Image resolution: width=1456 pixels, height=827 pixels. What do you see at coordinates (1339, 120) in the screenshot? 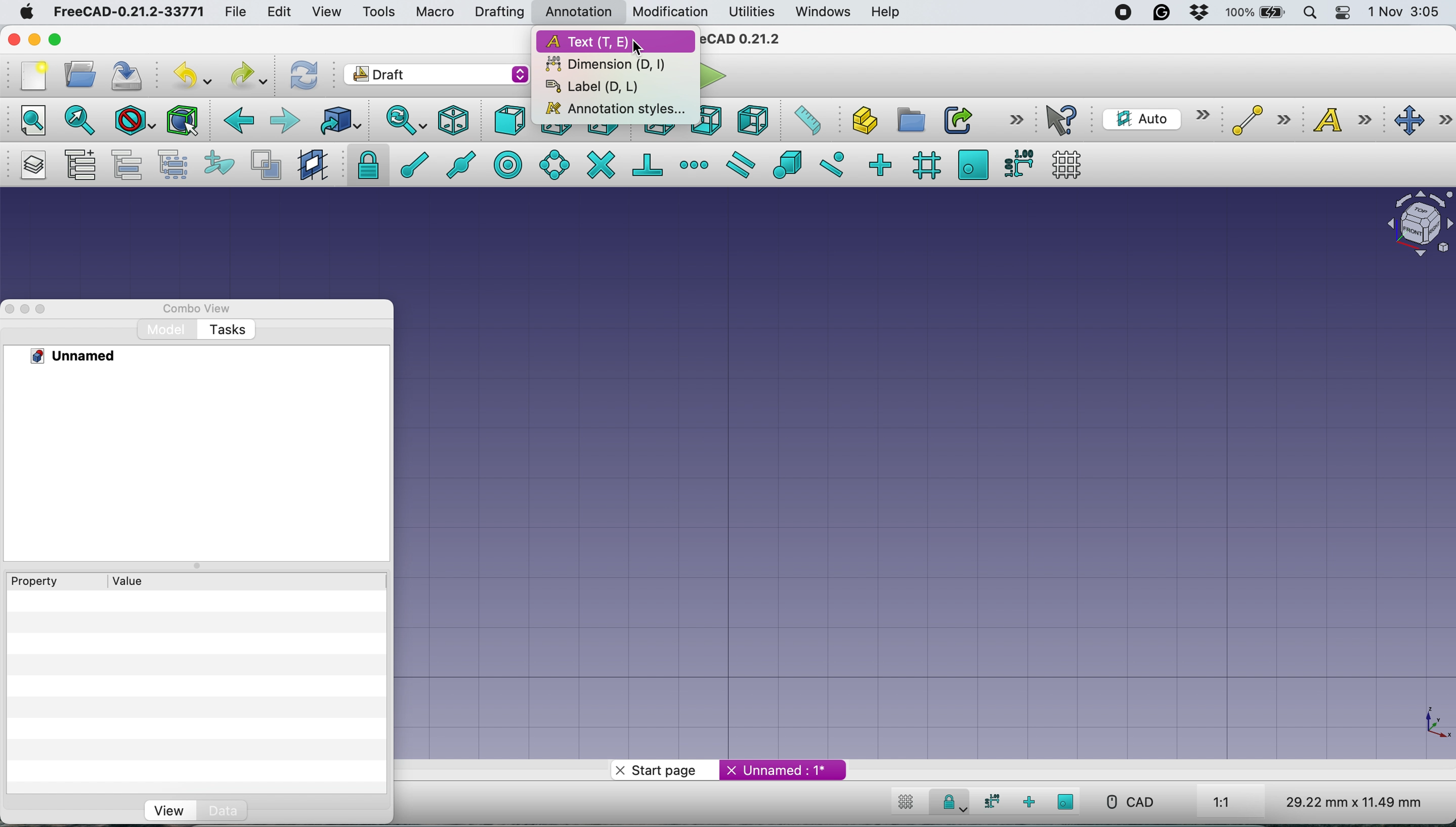
I see `text` at bounding box center [1339, 120].